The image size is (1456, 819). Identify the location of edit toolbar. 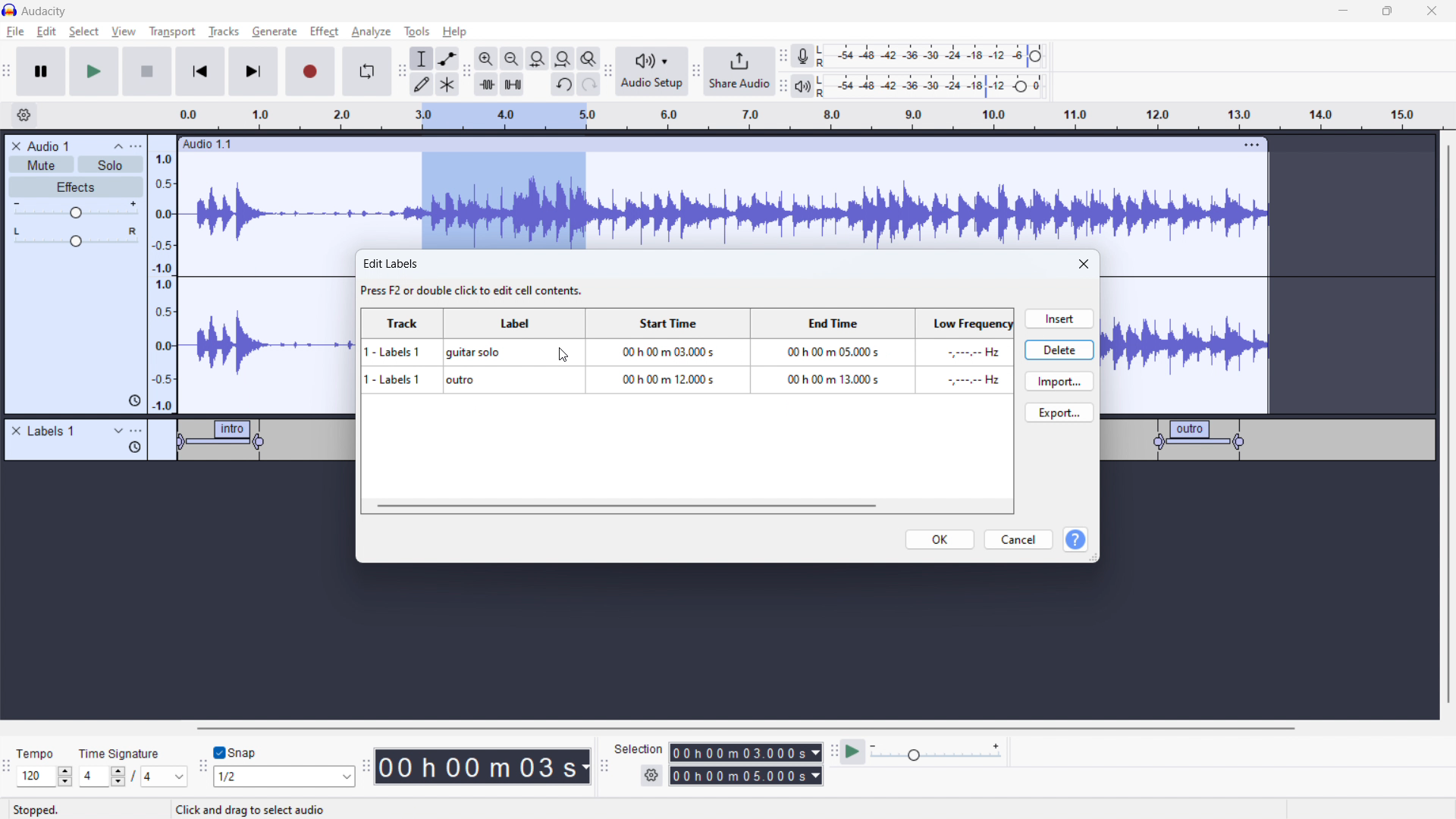
(466, 72).